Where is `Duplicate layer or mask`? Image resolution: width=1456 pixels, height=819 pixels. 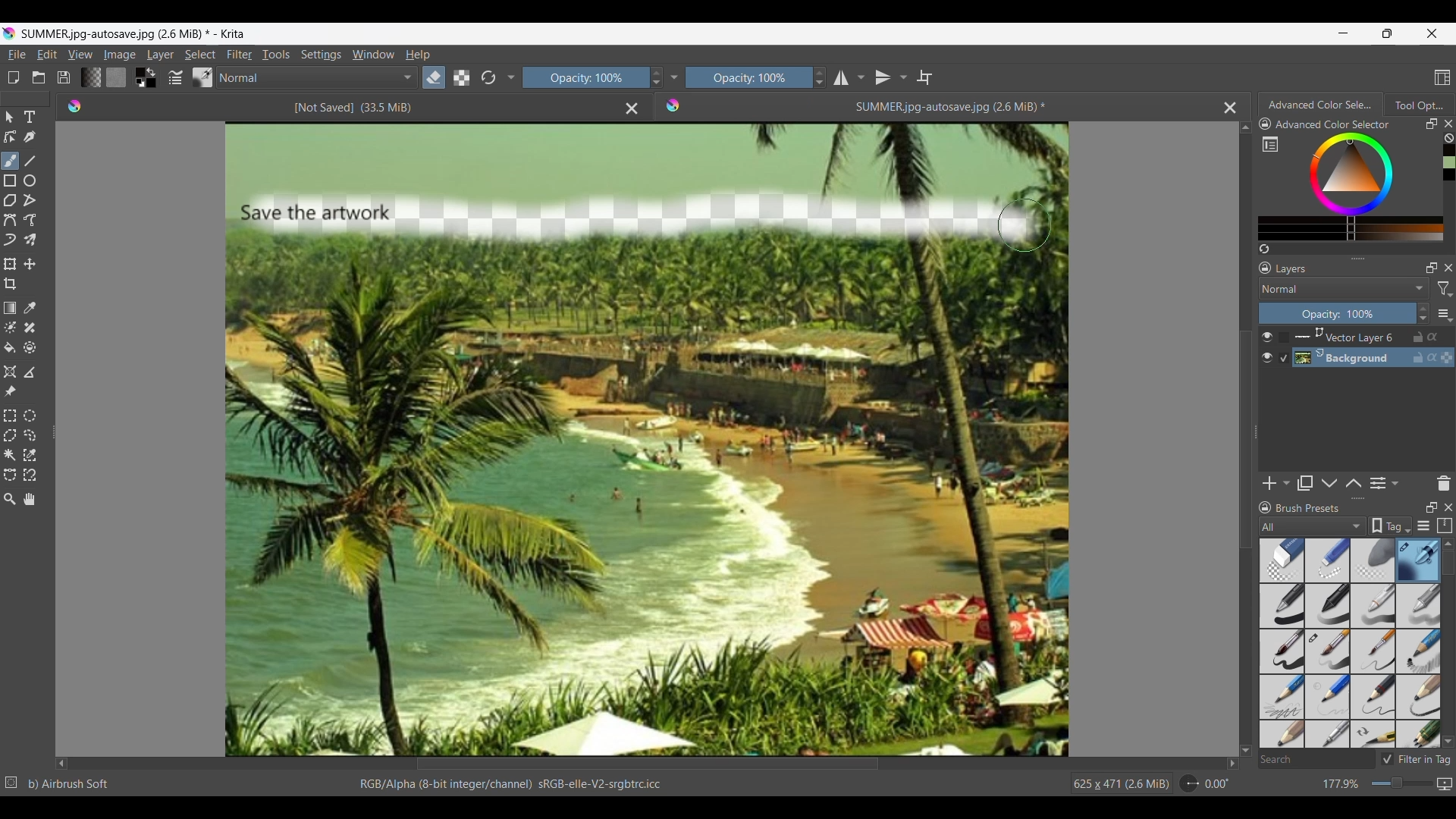 Duplicate layer or mask is located at coordinates (1304, 483).